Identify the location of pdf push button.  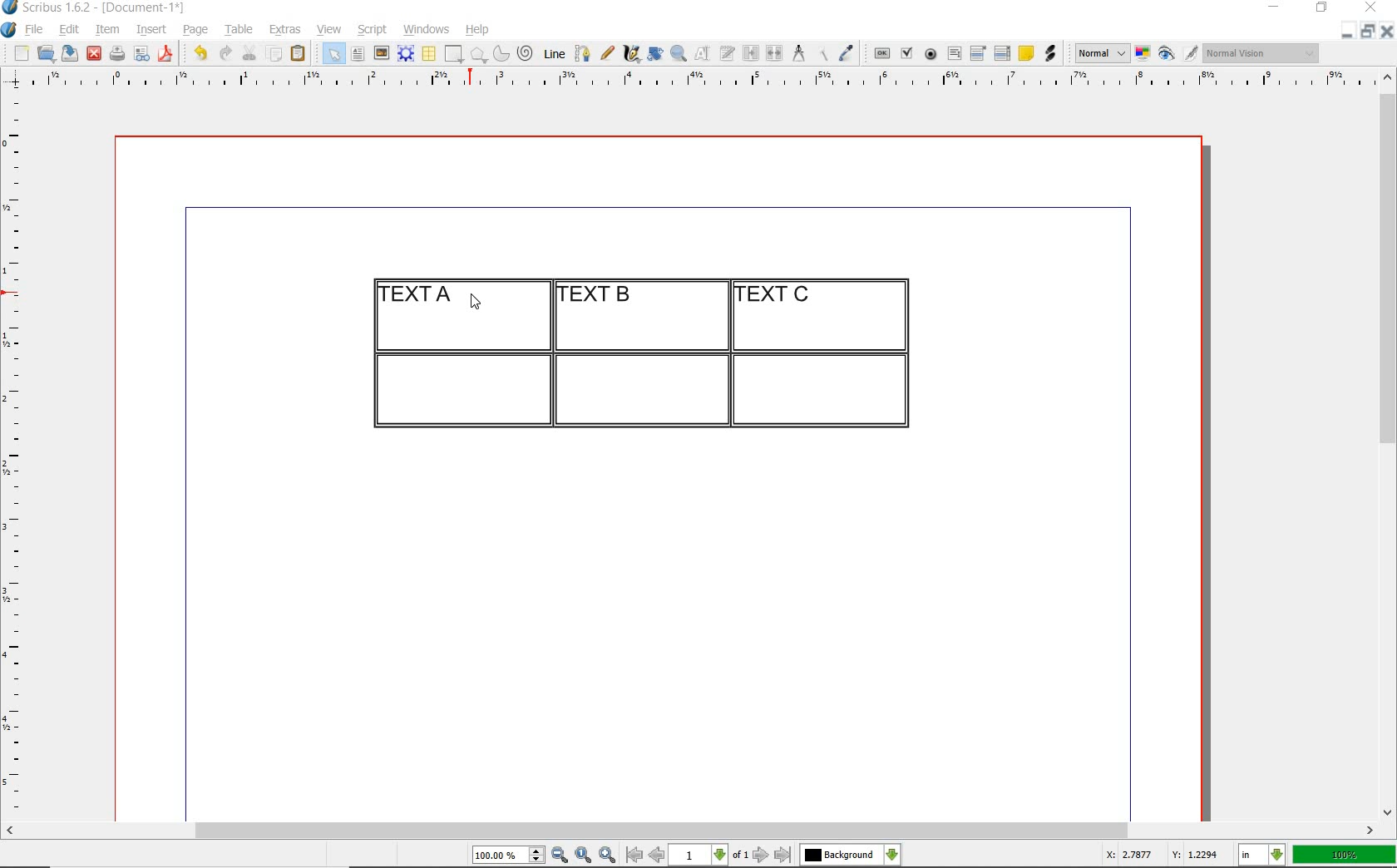
(882, 54).